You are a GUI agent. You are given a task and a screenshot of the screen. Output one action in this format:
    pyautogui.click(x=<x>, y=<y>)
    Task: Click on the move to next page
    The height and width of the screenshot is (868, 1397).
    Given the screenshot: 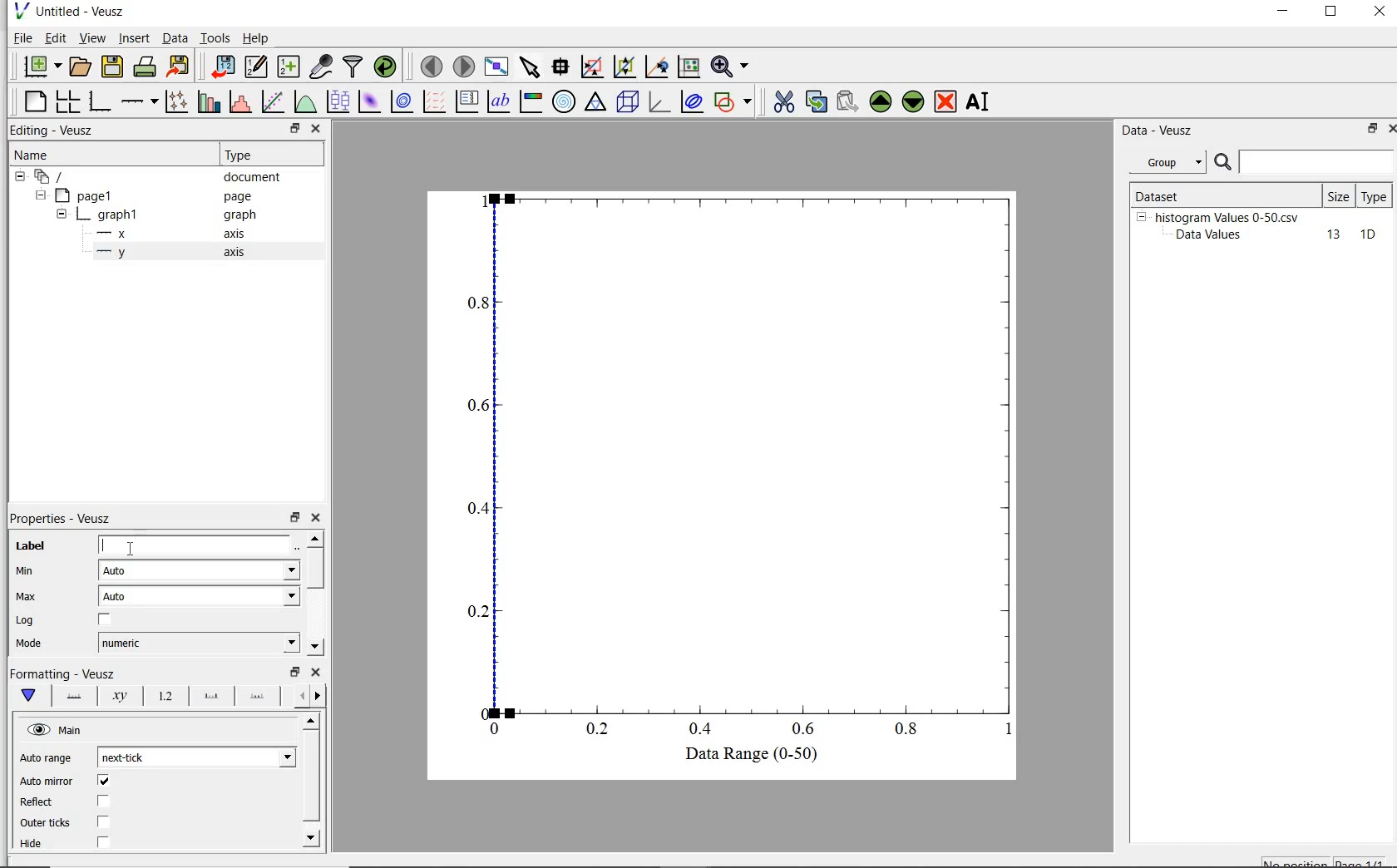 What is the action you would take?
    pyautogui.click(x=465, y=66)
    